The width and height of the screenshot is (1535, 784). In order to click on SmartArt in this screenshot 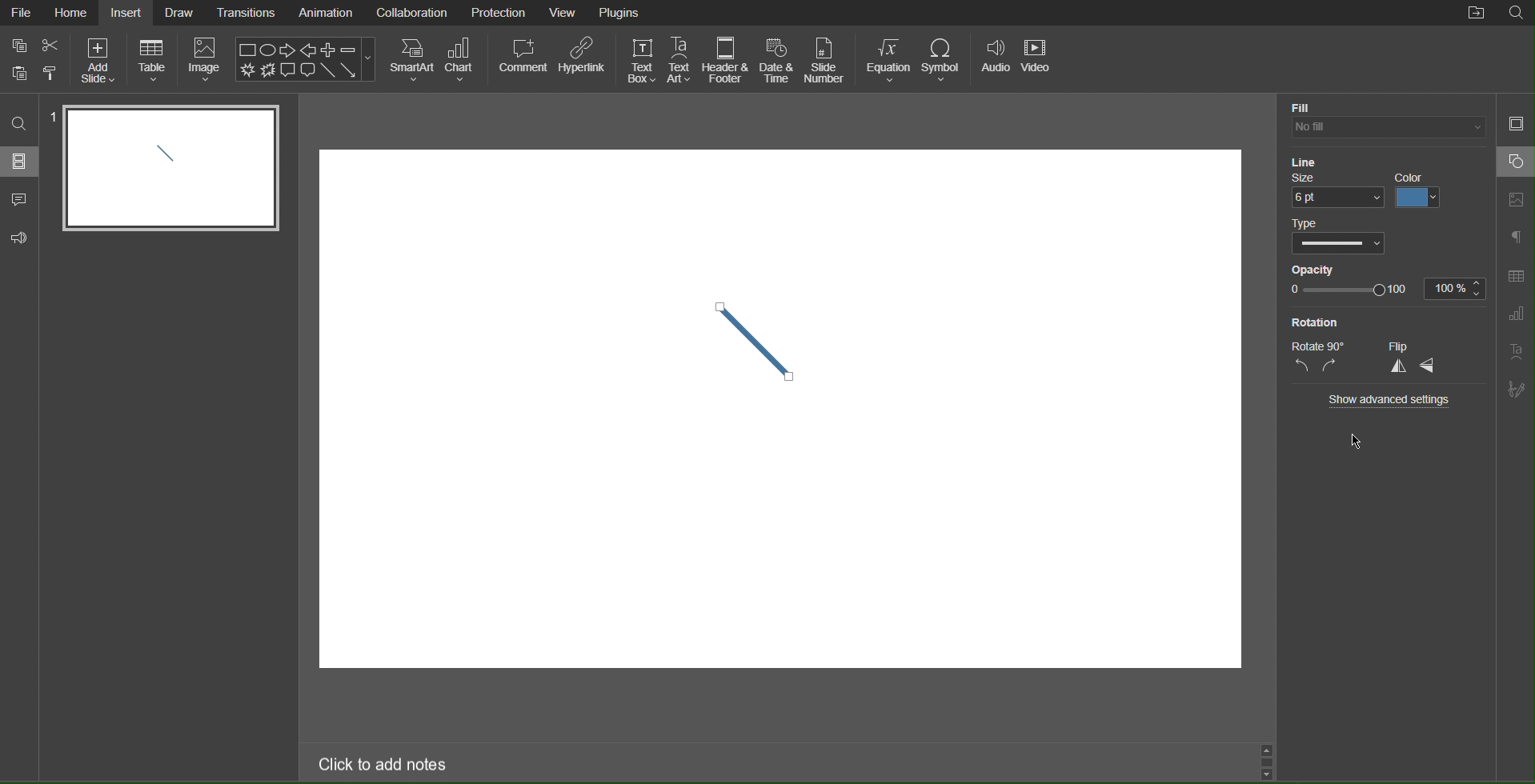, I will do `click(411, 59)`.